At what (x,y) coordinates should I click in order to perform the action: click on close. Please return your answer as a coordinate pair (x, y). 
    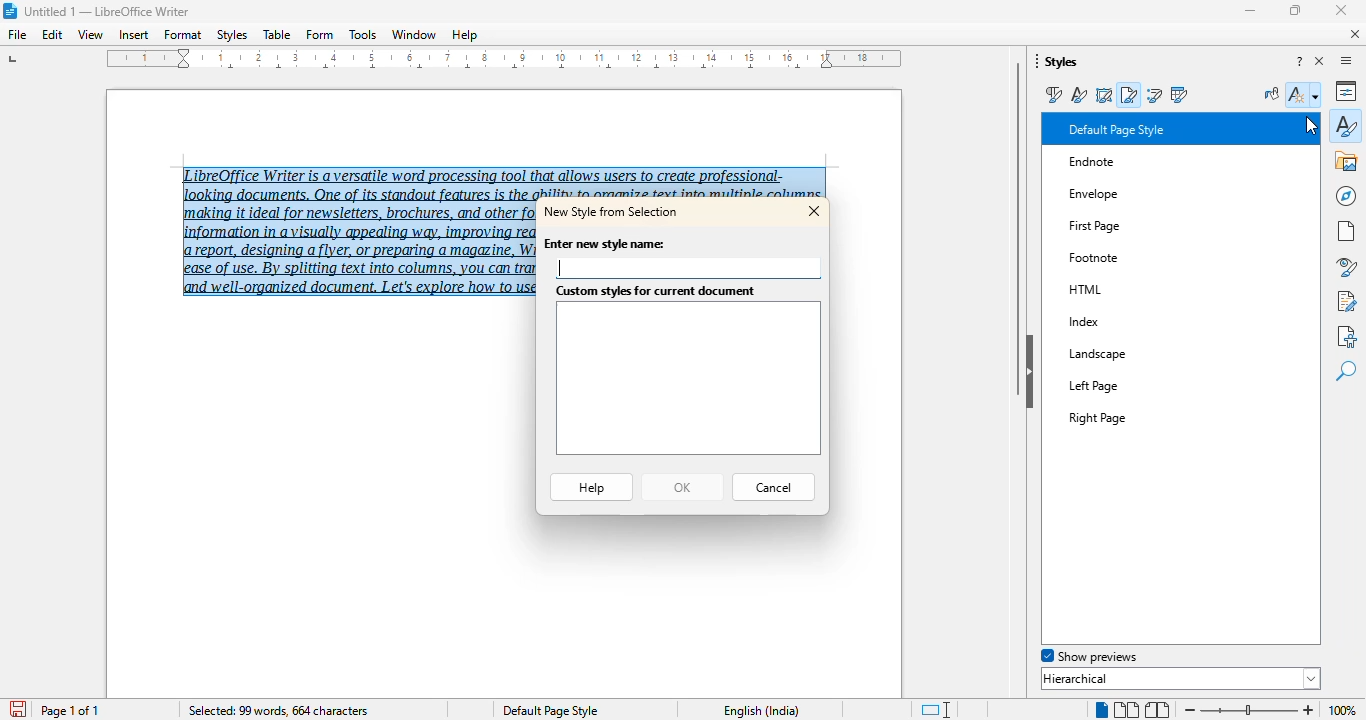
    Looking at the image, I should click on (814, 210).